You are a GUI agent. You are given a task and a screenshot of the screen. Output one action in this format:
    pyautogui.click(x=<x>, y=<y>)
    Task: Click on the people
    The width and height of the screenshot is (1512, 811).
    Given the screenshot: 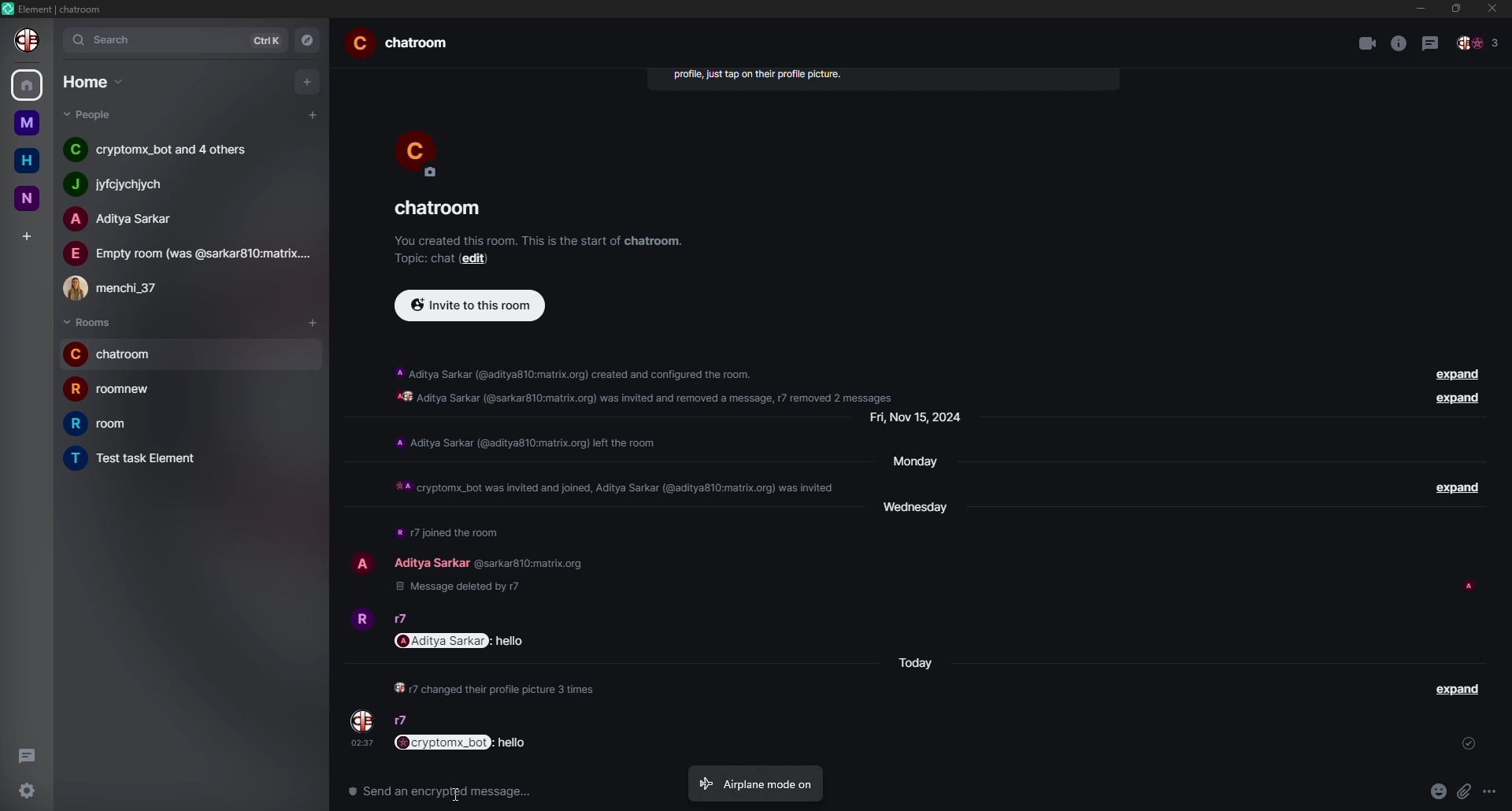 What is the action you would take?
    pyautogui.click(x=91, y=114)
    